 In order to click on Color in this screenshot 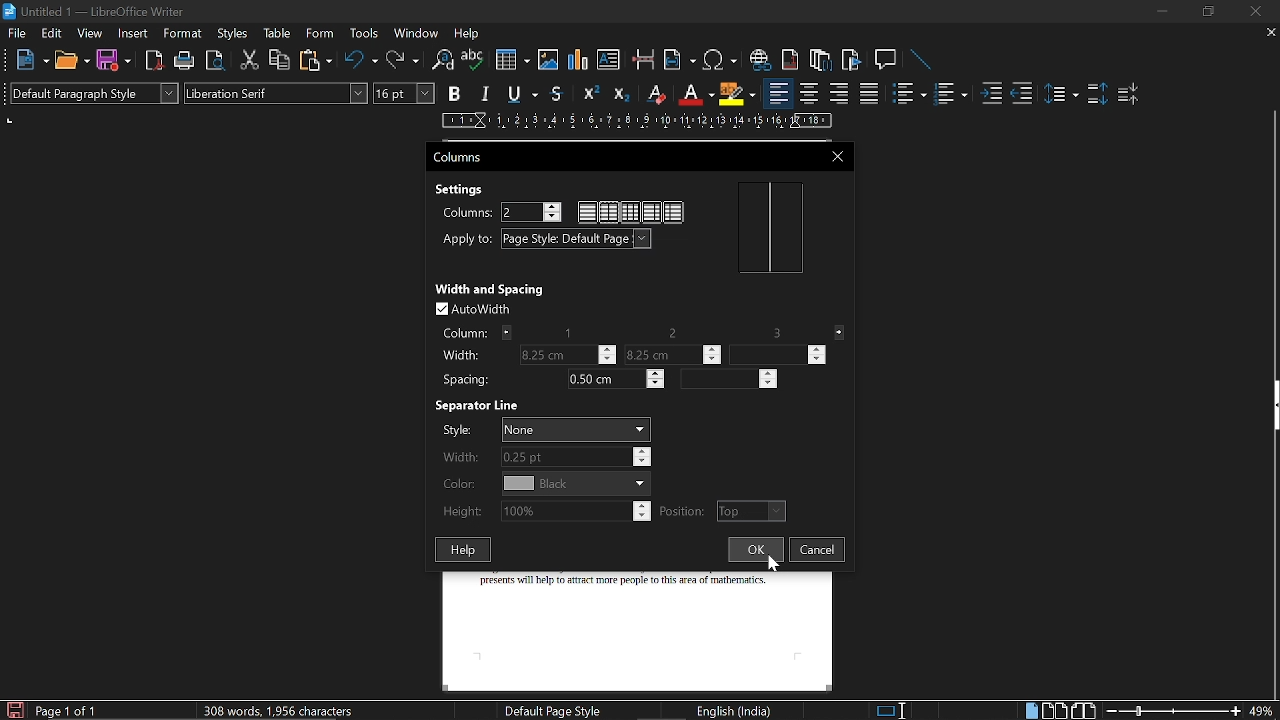, I will do `click(546, 484)`.